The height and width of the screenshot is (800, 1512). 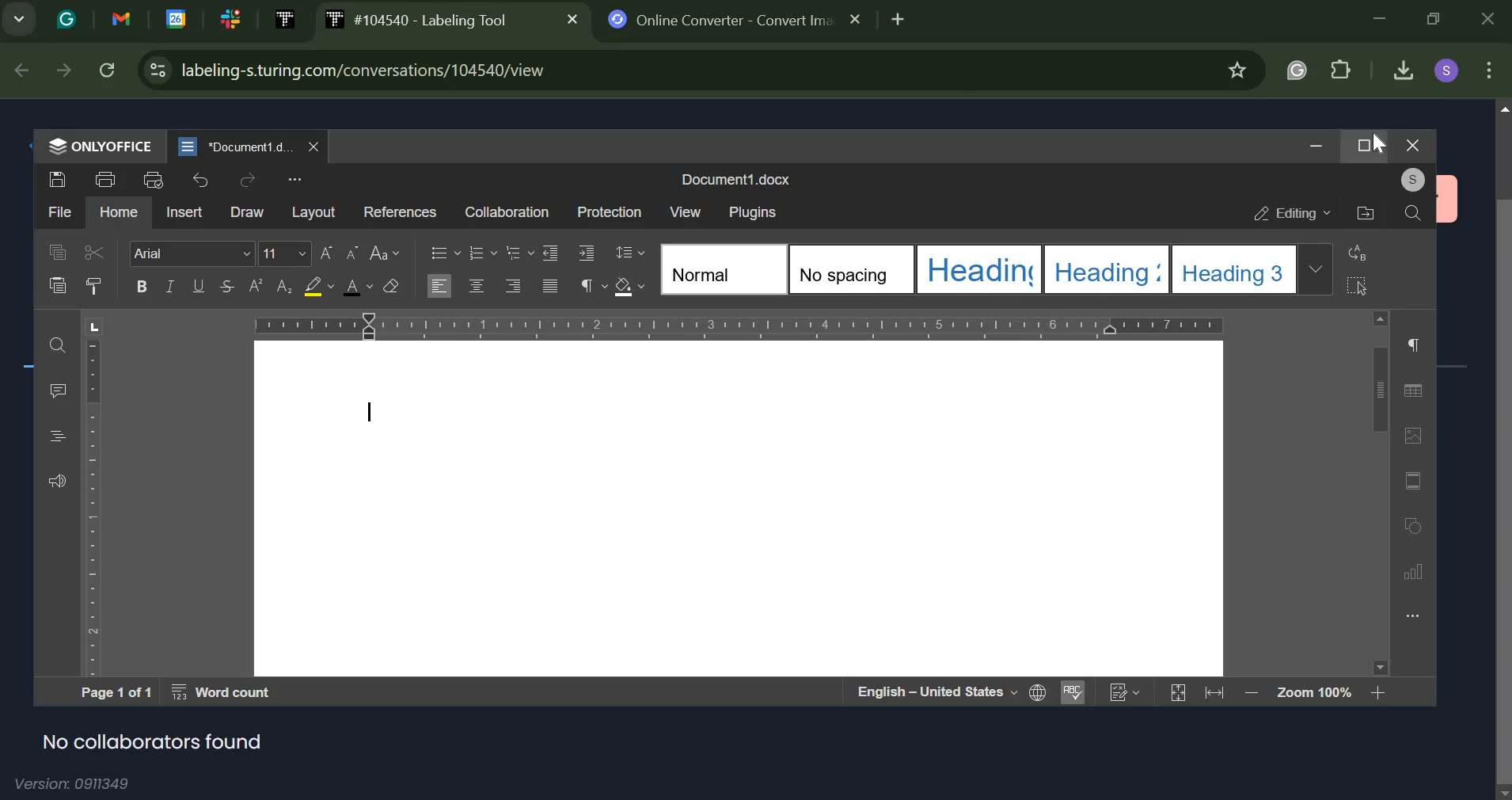 What do you see at coordinates (1415, 480) in the screenshot?
I see `Header and footer` at bounding box center [1415, 480].